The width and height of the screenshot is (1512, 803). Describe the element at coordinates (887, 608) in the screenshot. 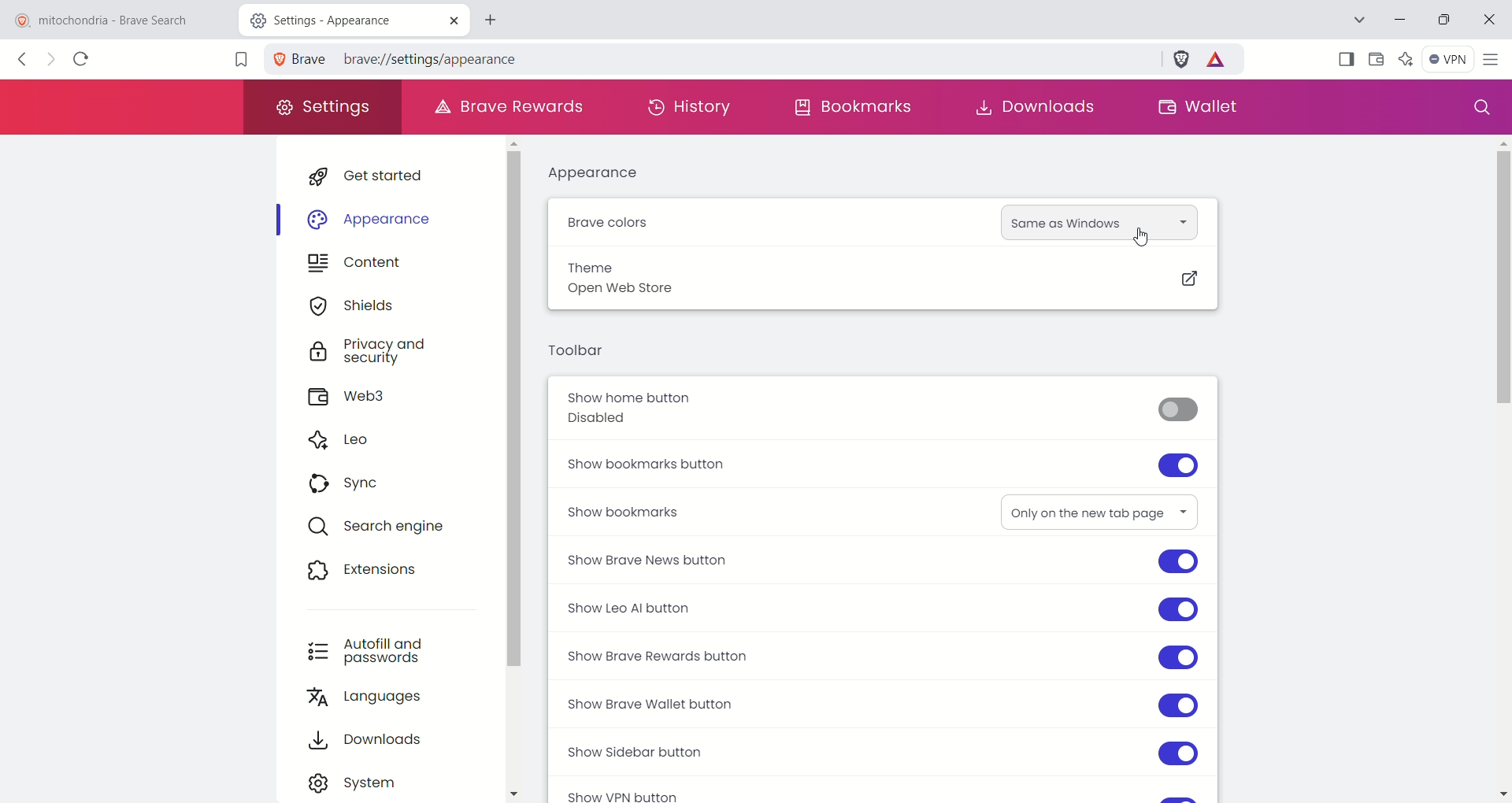

I see `show leo AI button` at that location.